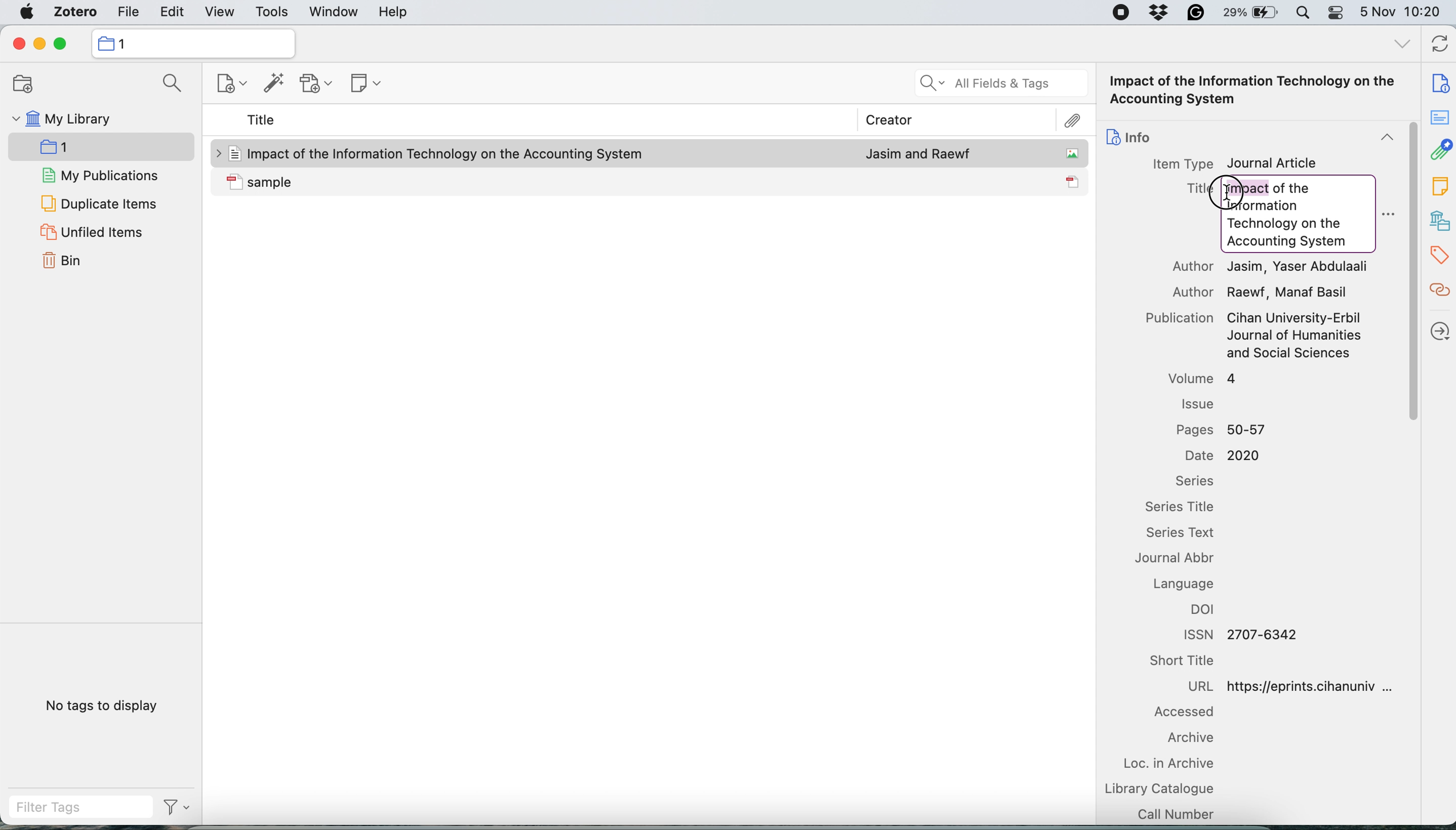 This screenshot has width=1456, height=830. Describe the element at coordinates (395, 13) in the screenshot. I see `help` at that location.